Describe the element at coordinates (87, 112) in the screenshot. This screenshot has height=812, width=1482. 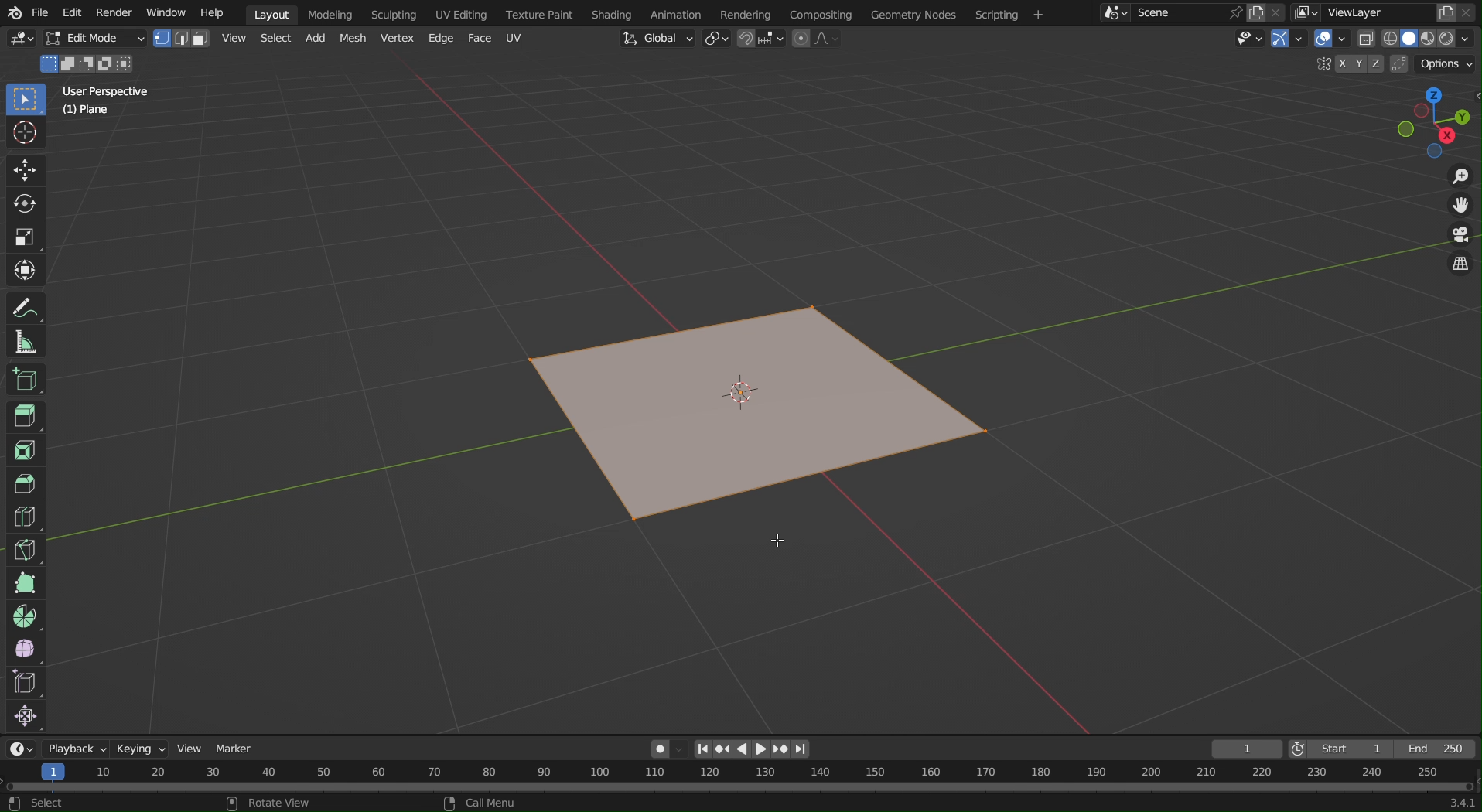
I see `Plane` at that location.